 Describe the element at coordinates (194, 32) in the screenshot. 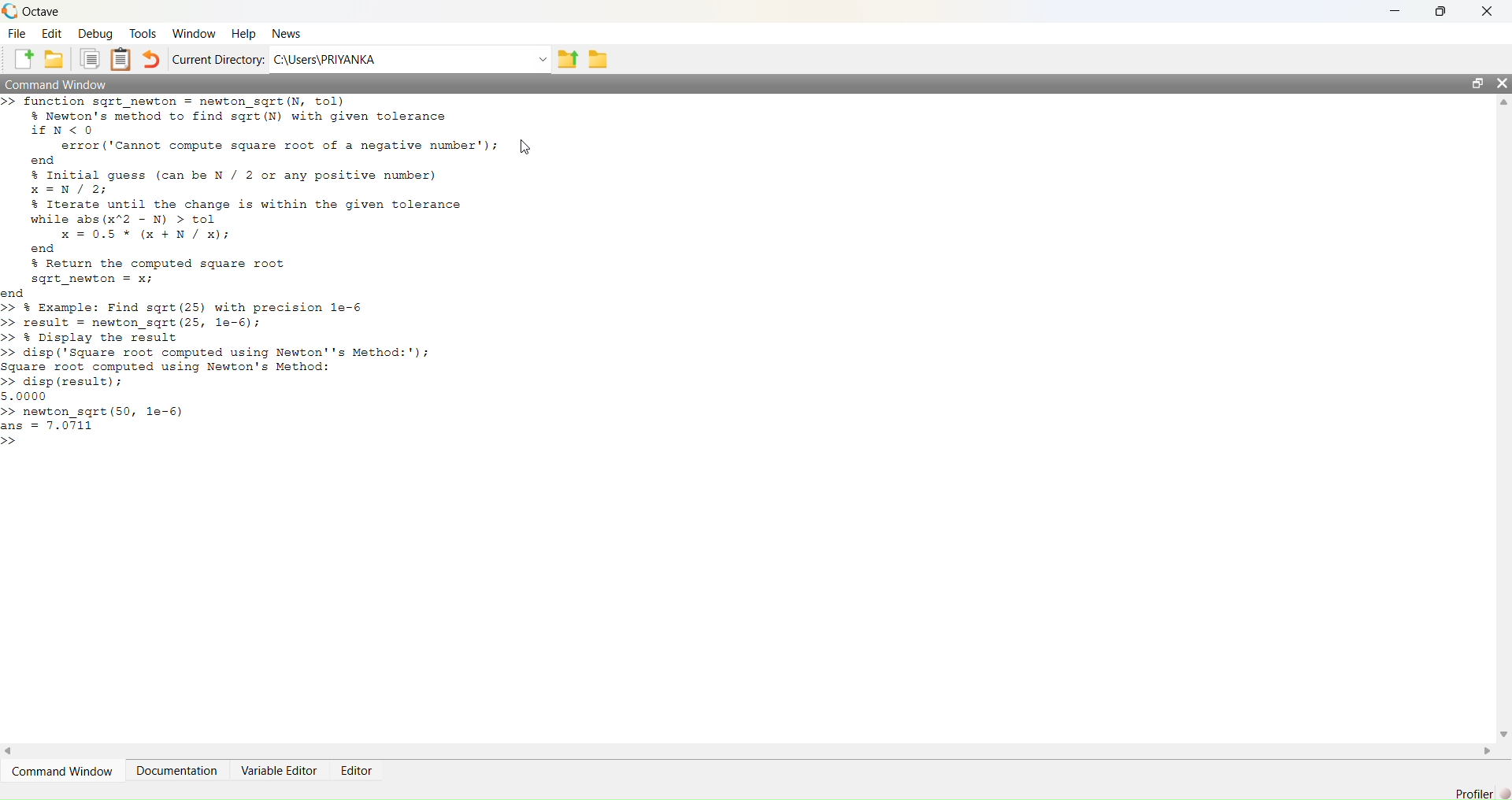

I see `Window` at that location.